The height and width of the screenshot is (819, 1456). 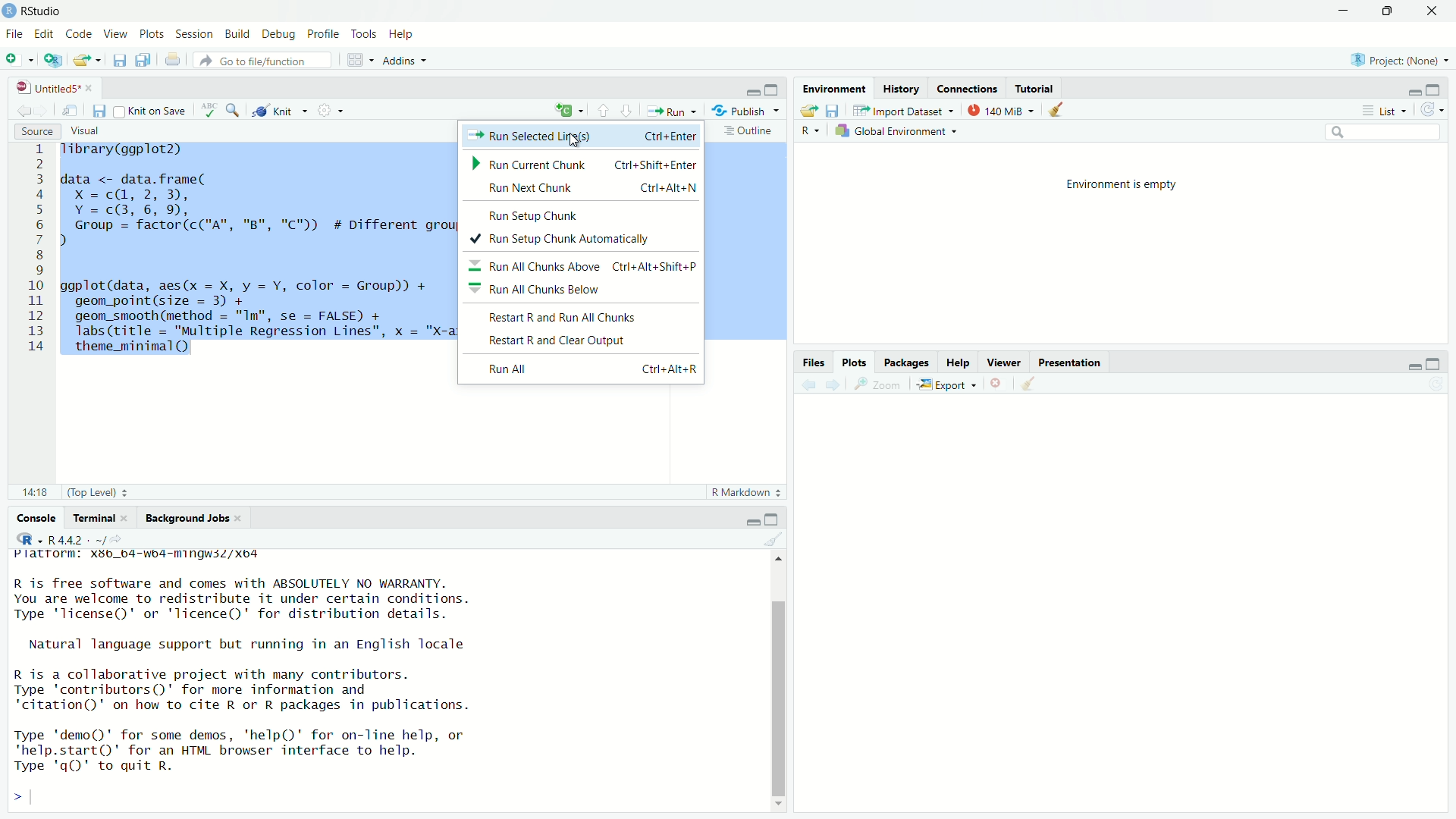 What do you see at coordinates (323, 35) in the screenshot?
I see `Profile` at bounding box center [323, 35].